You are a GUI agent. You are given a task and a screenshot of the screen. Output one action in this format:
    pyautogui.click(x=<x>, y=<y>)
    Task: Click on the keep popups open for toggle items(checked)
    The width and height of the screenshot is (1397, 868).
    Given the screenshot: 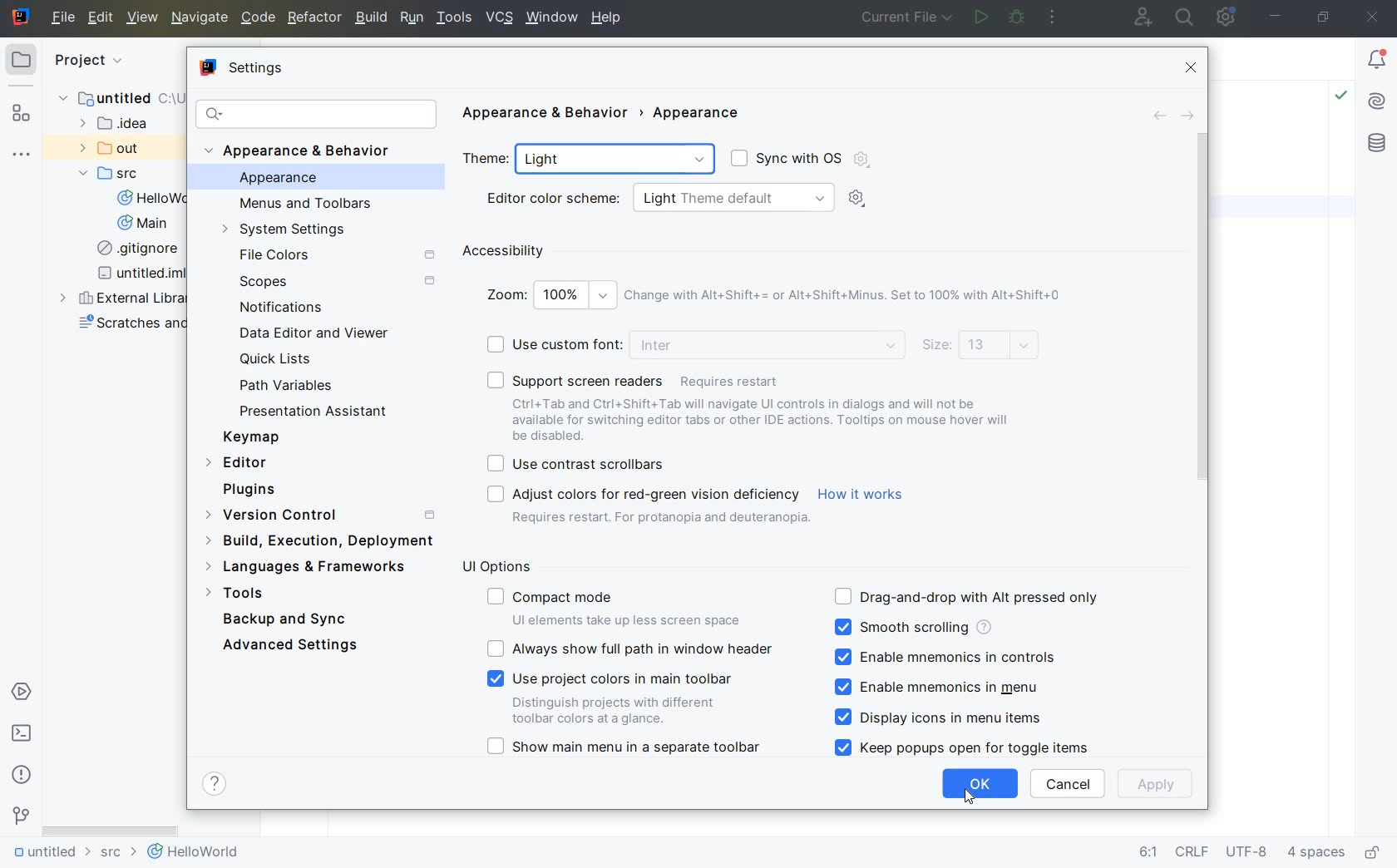 What is the action you would take?
    pyautogui.click(x=966, y=747)
    